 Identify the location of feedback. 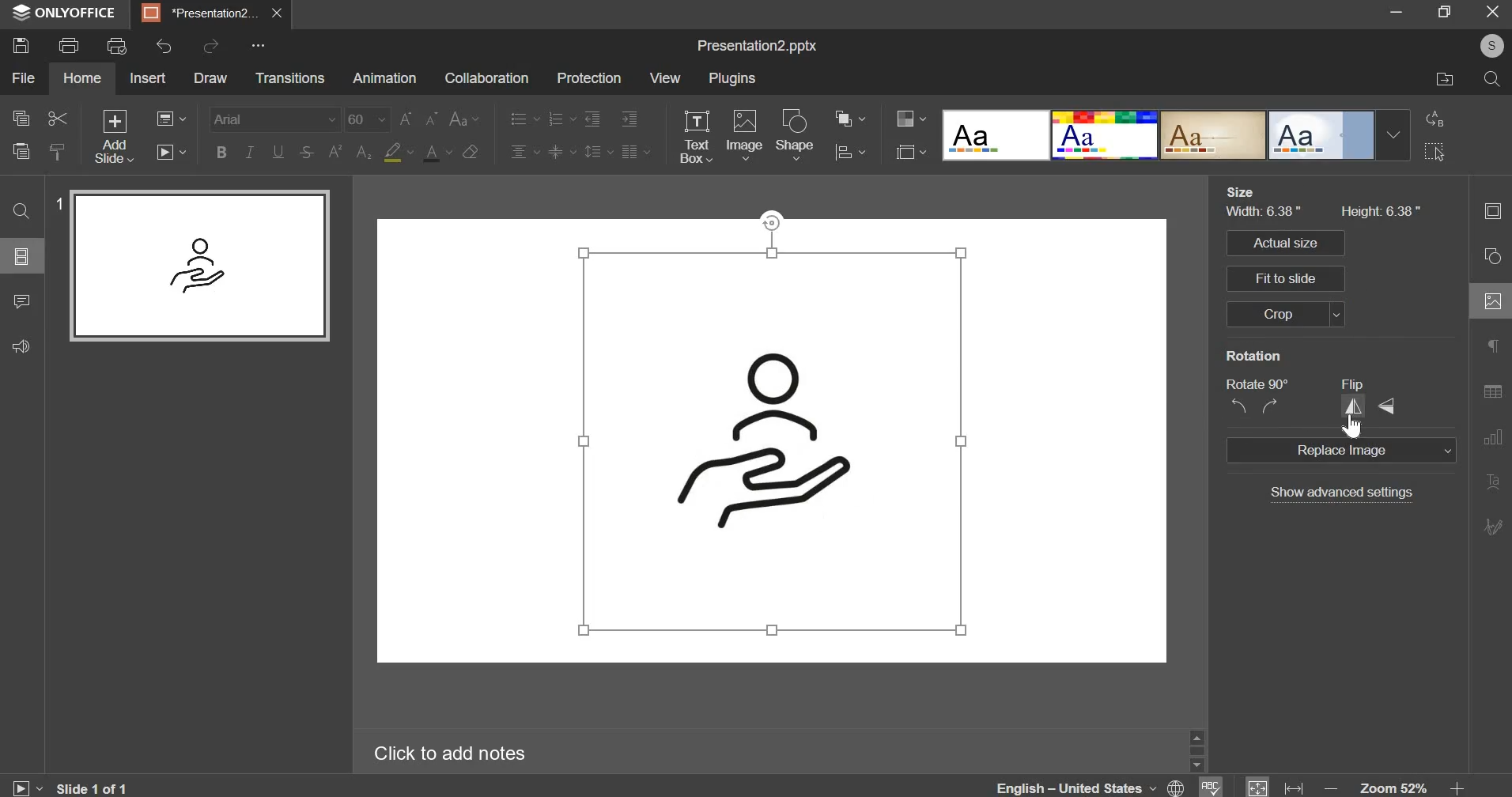
(20, 346).